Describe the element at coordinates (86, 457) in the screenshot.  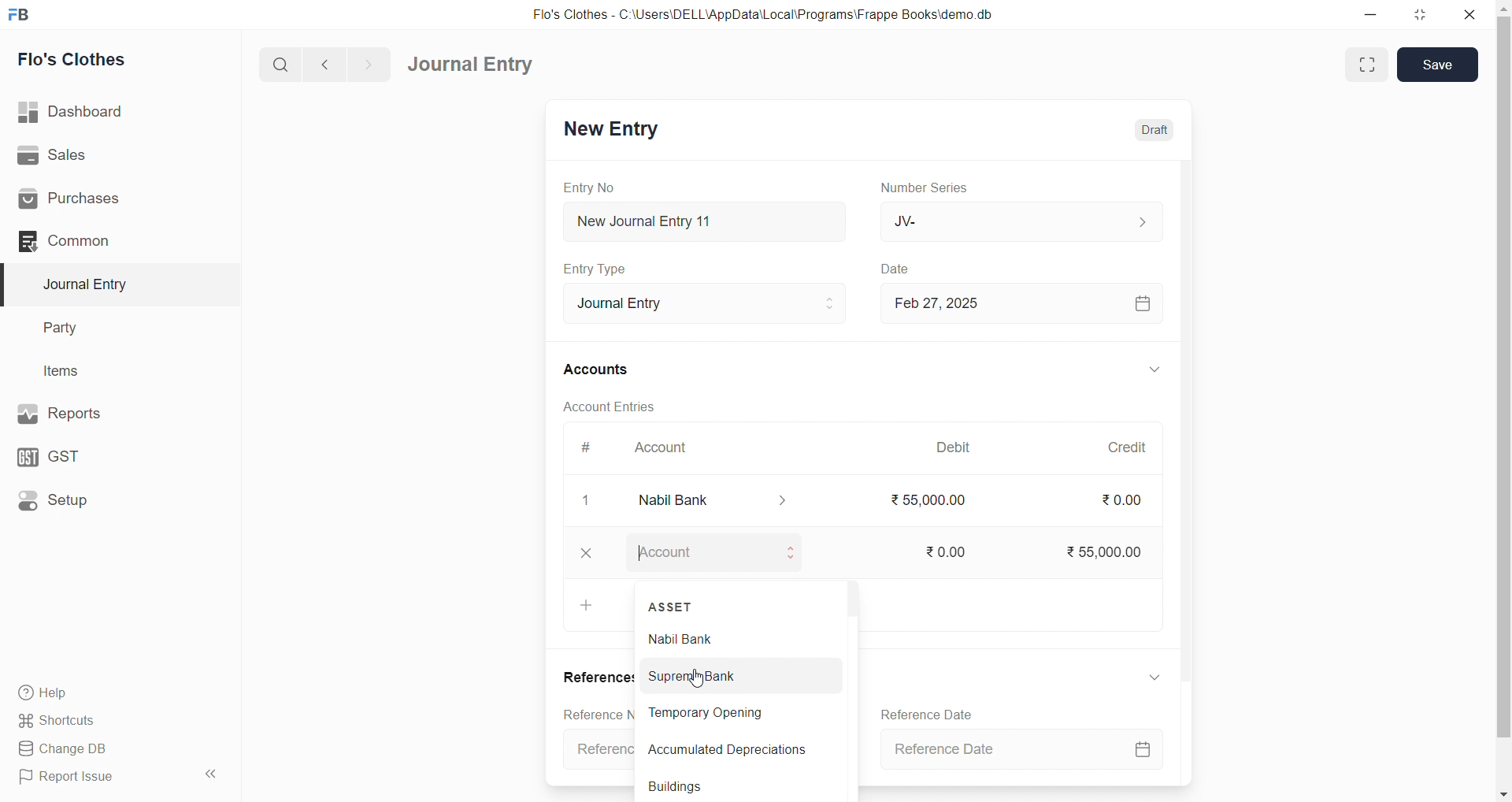
I see `GST` at that location.